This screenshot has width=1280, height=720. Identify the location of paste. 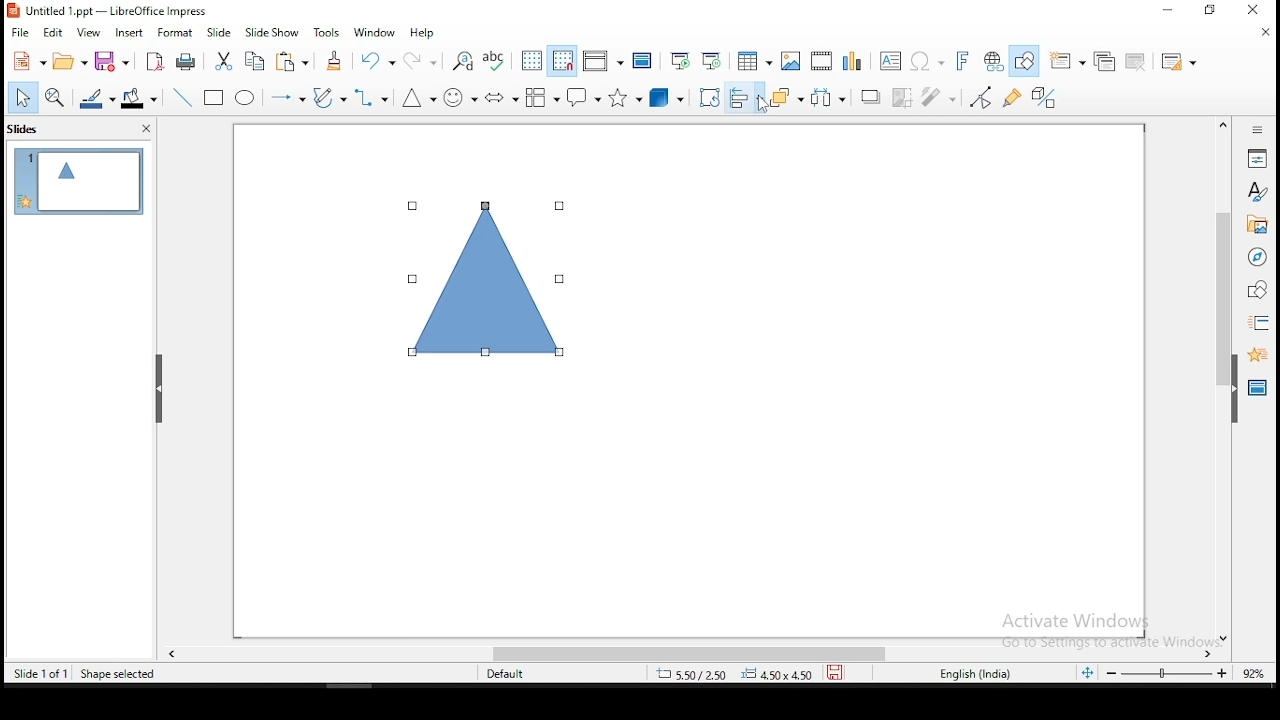
(294, 62).